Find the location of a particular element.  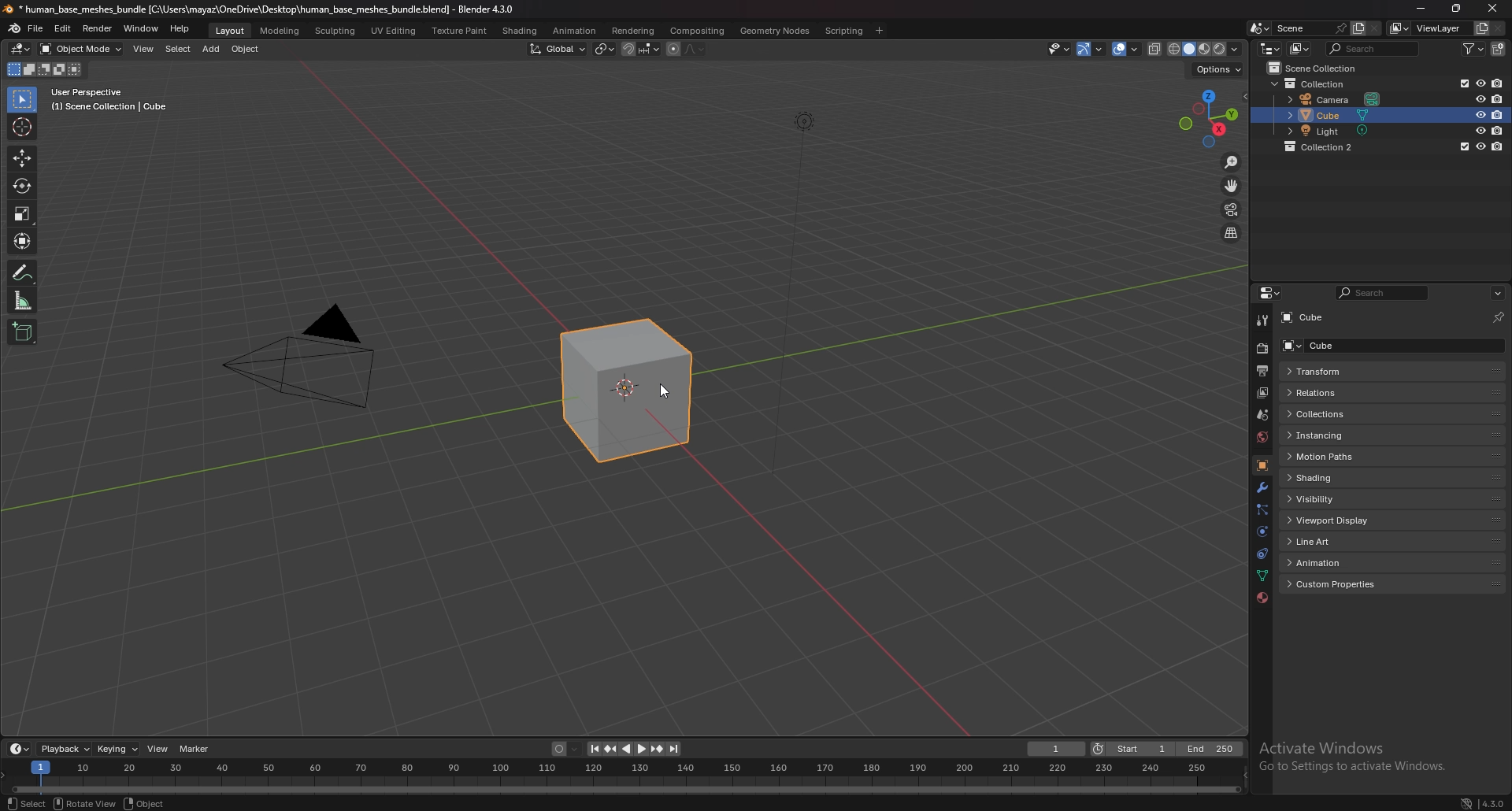

annotation is located at coordinates (24, 272).